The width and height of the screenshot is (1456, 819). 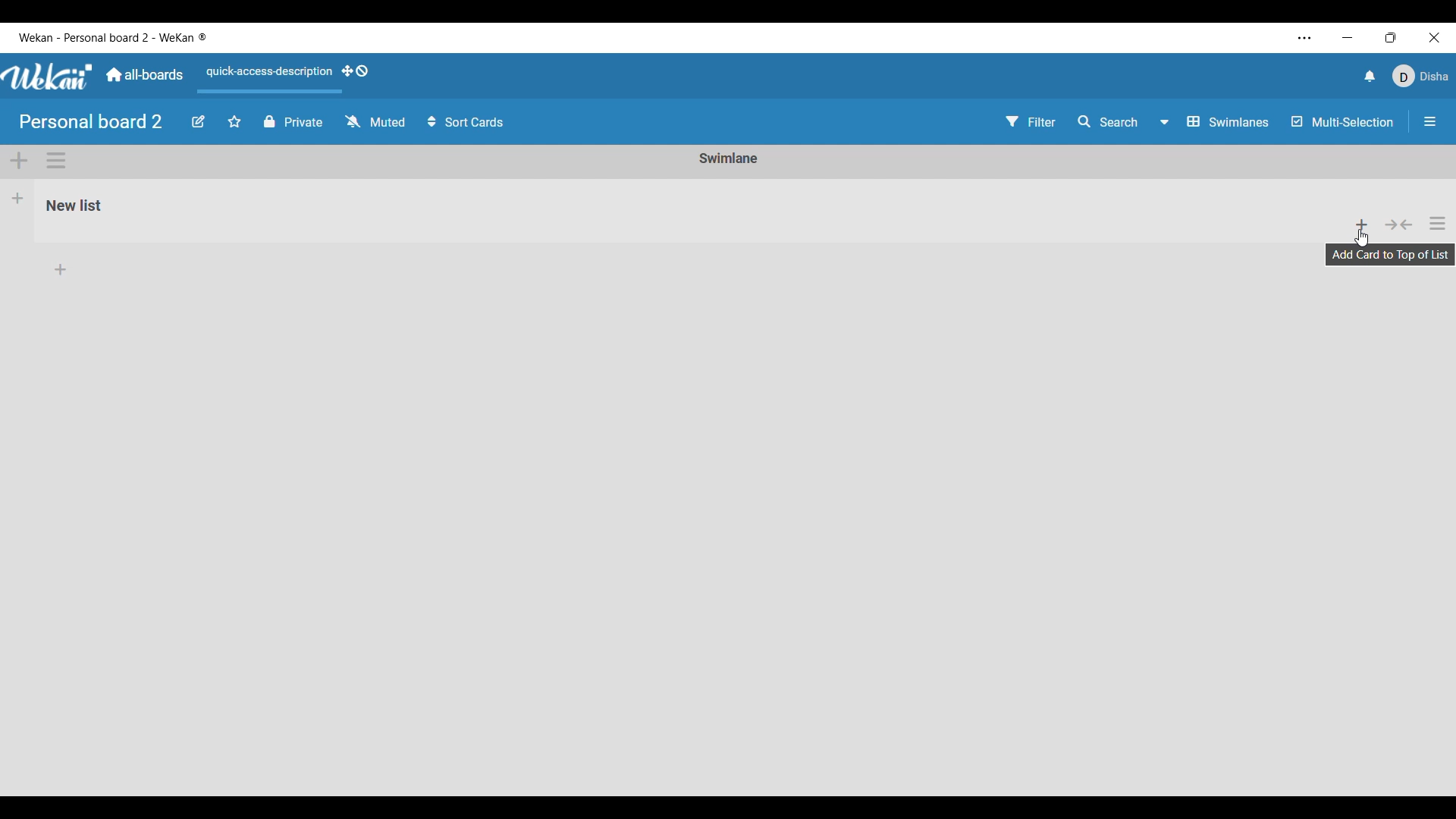 I want to click on Open/Close sidebar, so click(x=1430, y=121).